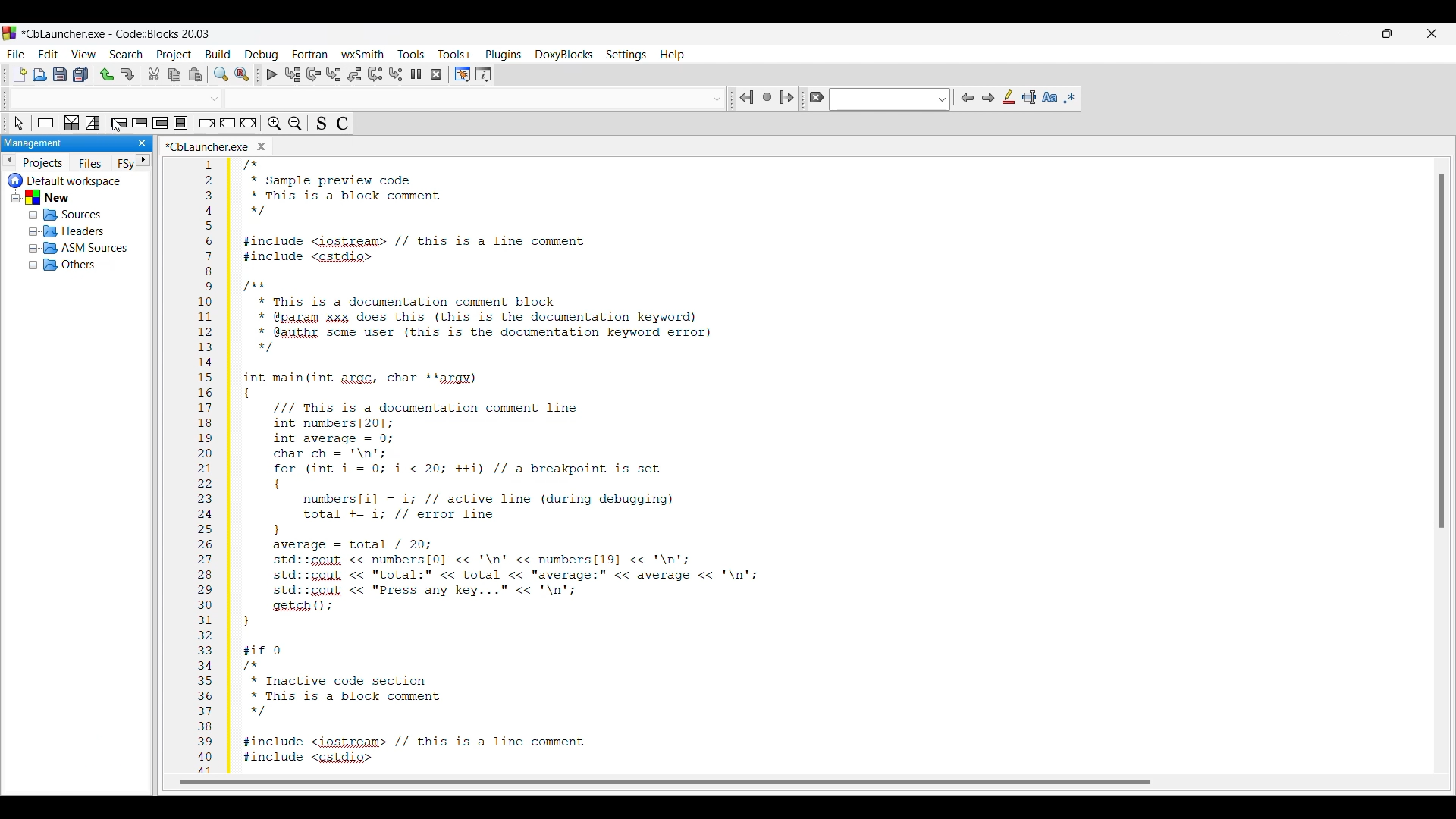  I want to click on Counting loop, so click(161, 123).